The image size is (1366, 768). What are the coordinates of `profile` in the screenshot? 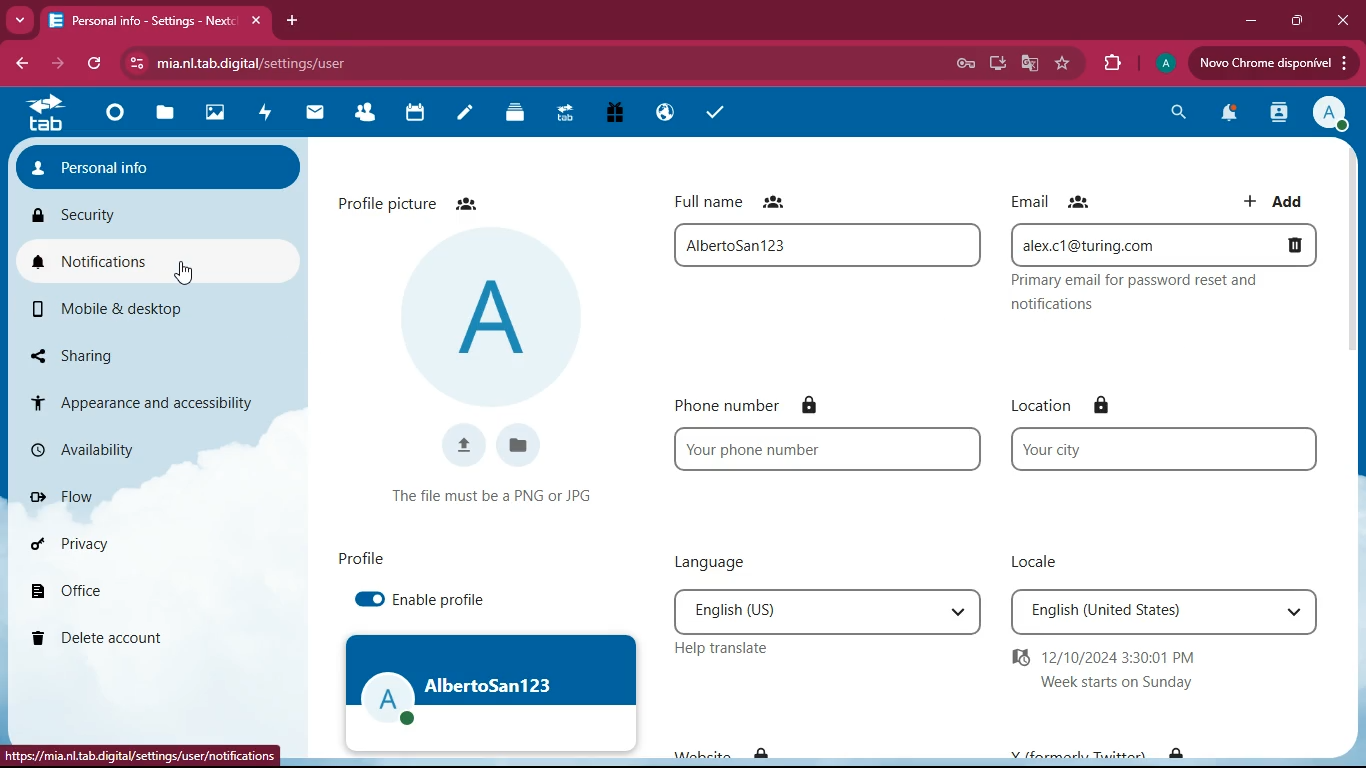 It's located at (1165, 63).